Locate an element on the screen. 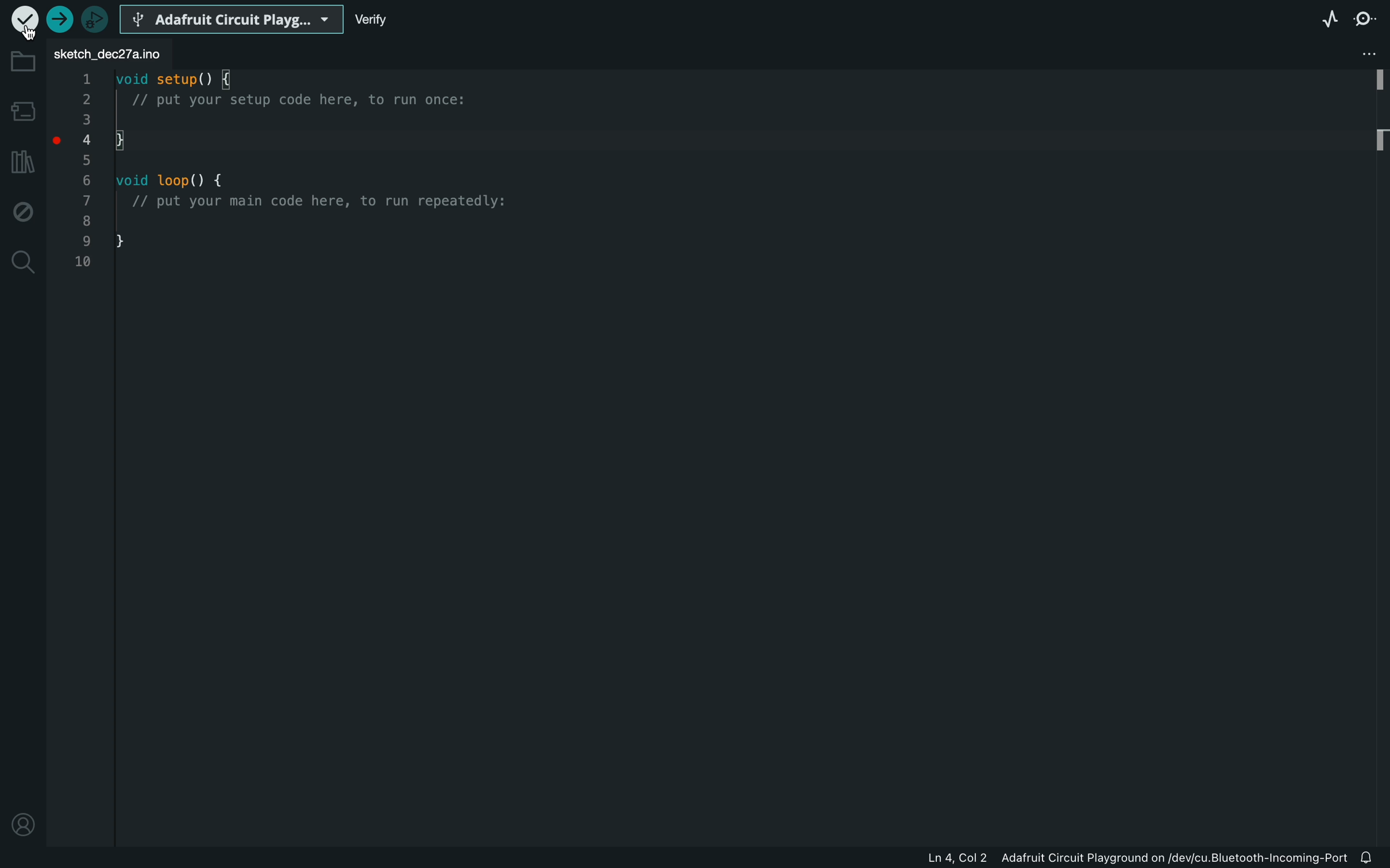 The width and height of the screenshot is (1390, 868). code is located at coordinates (303, 185).